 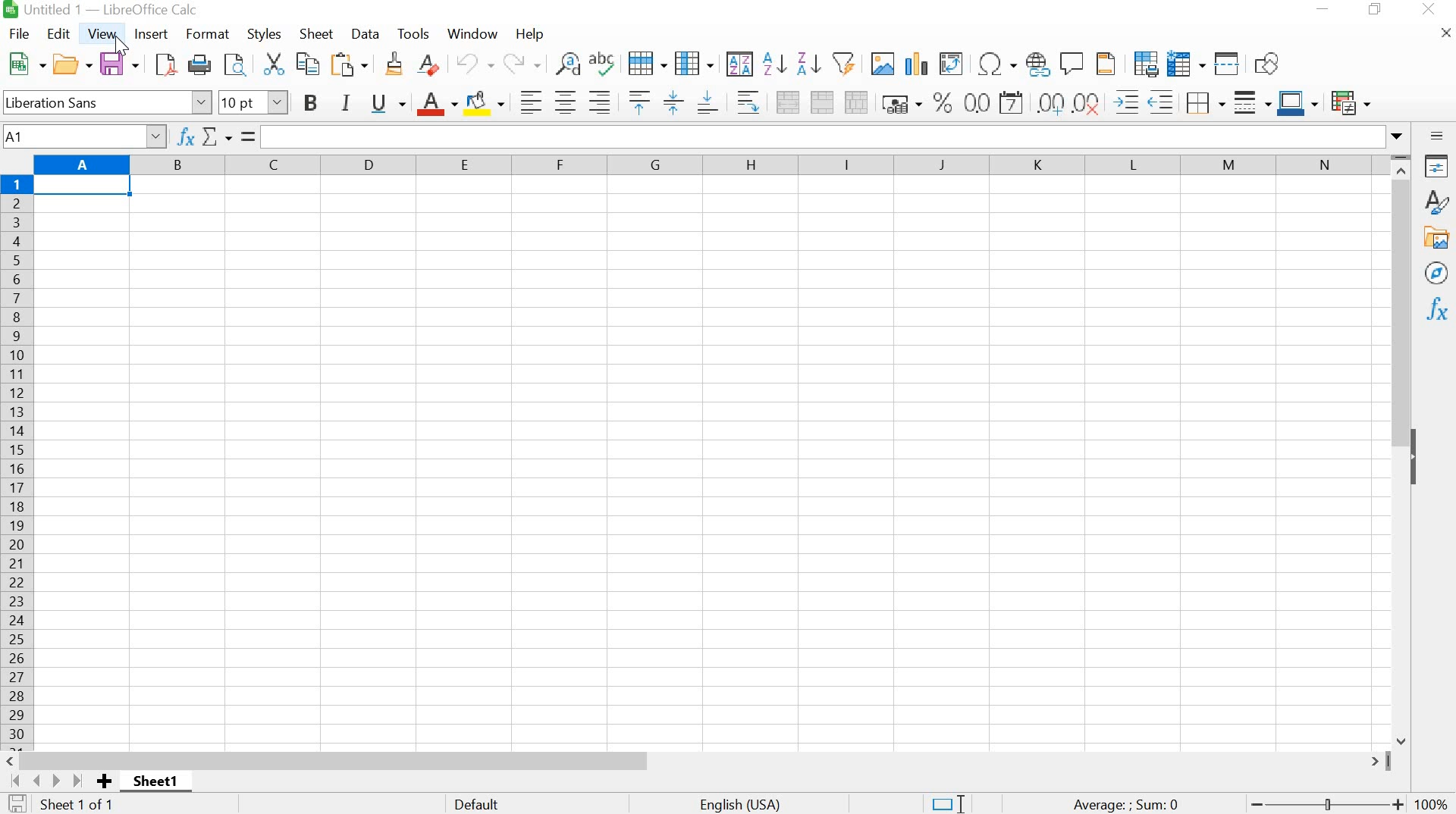 What do you see at coordinates (60, 34) in the screenshot?
I see `EDIT` at bounding box center [60, 34].